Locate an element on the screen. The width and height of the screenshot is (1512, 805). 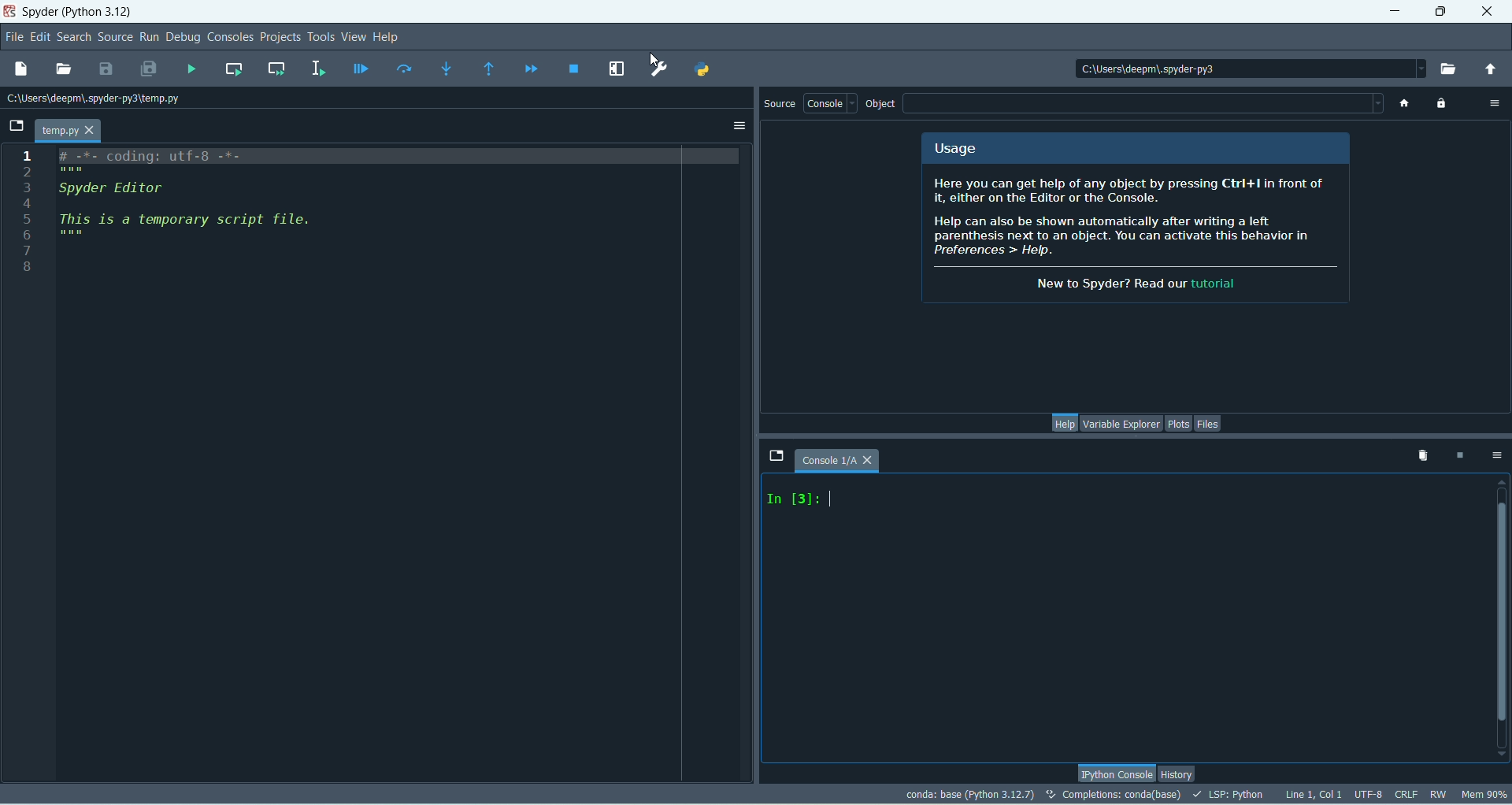
usage is located at coordinates (956, 151).